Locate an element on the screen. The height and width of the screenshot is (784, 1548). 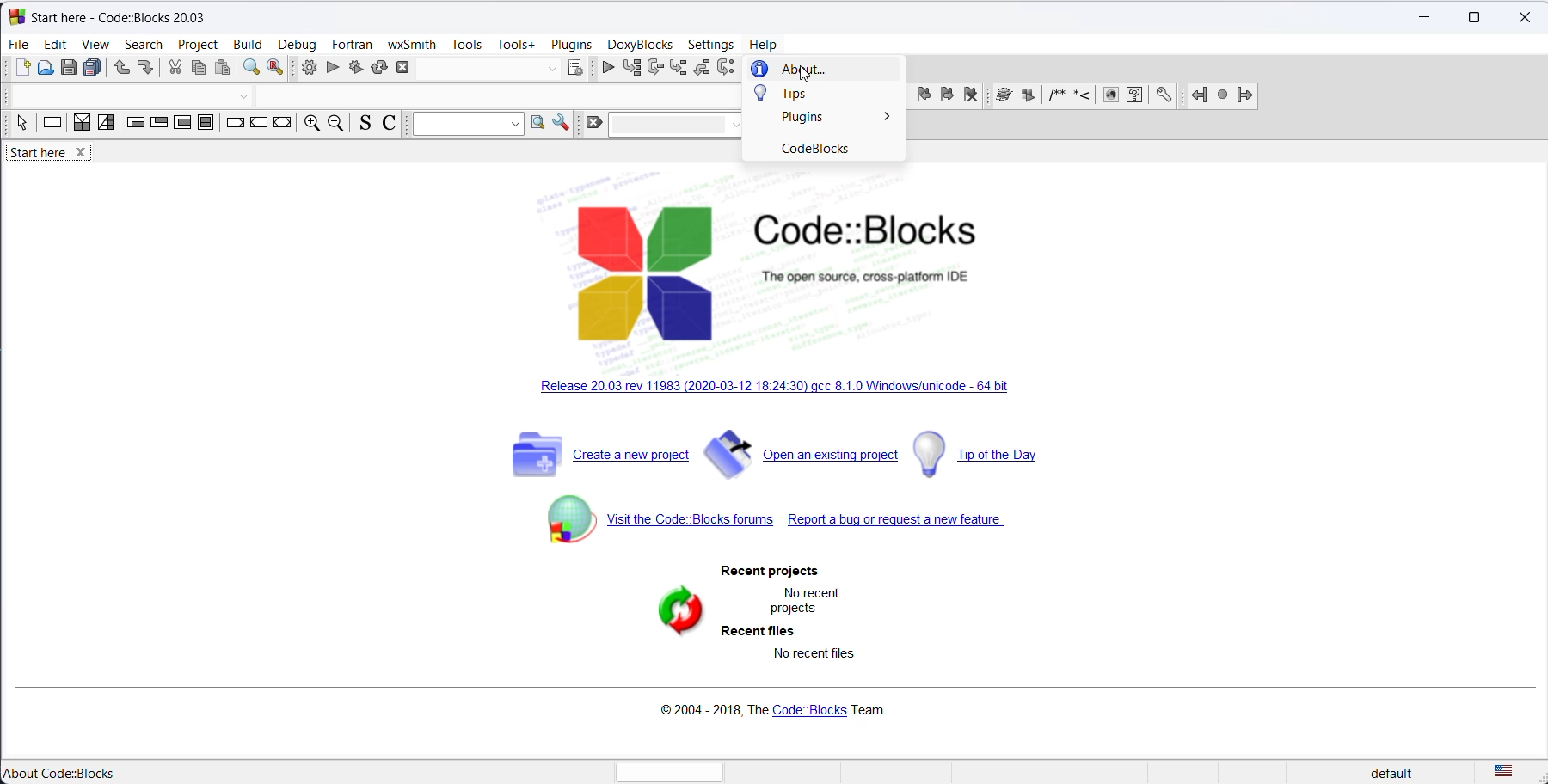
block instruction is located at coordinates (208, 126).